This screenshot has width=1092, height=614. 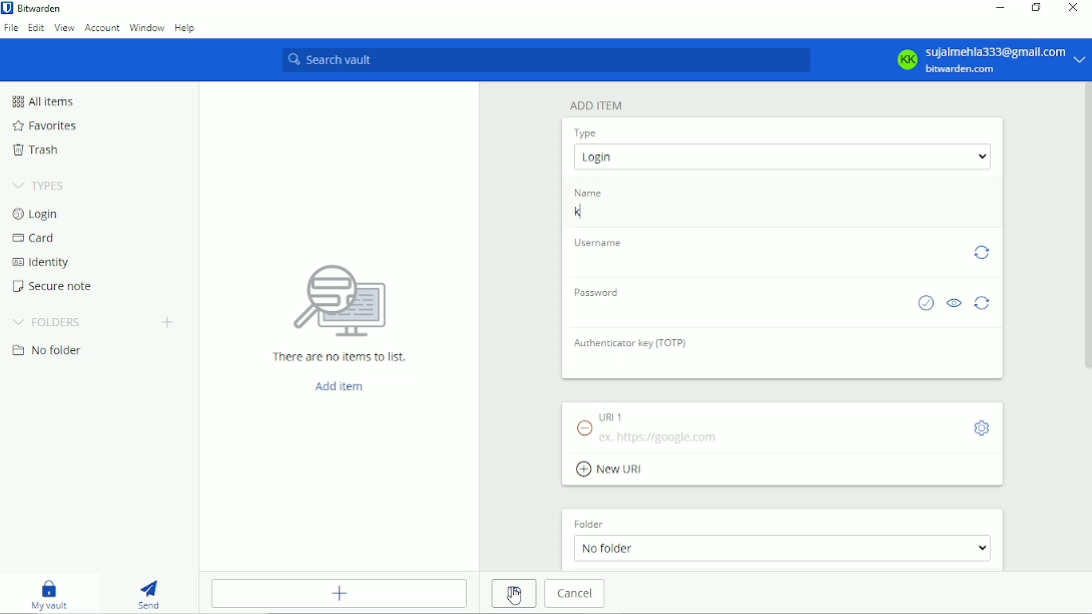 What do you see at coordinates (575, 593) in the screenshot?
I see `Cancel` at bounding box center [575, 593].